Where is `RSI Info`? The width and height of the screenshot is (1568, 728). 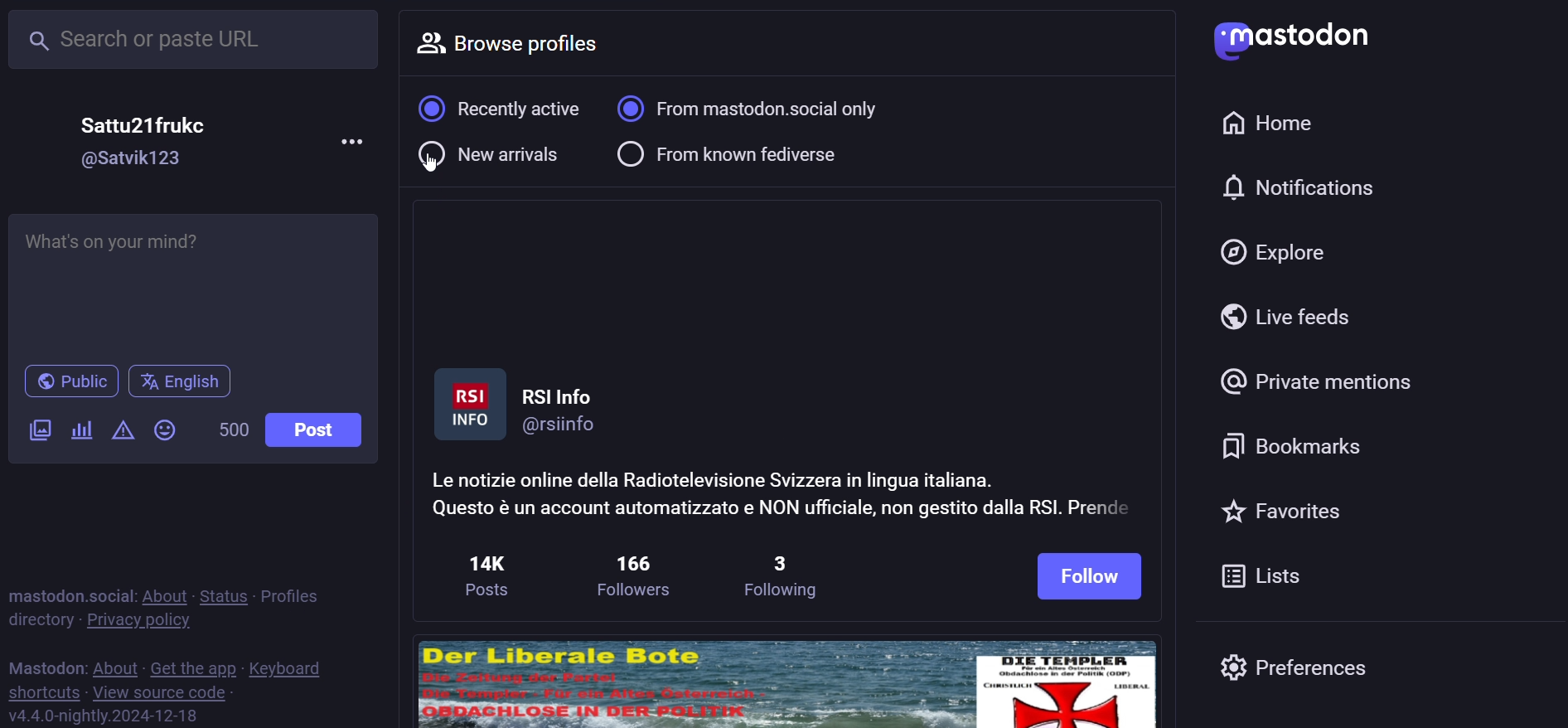
RSI Info is located at coordinates (559, 395).